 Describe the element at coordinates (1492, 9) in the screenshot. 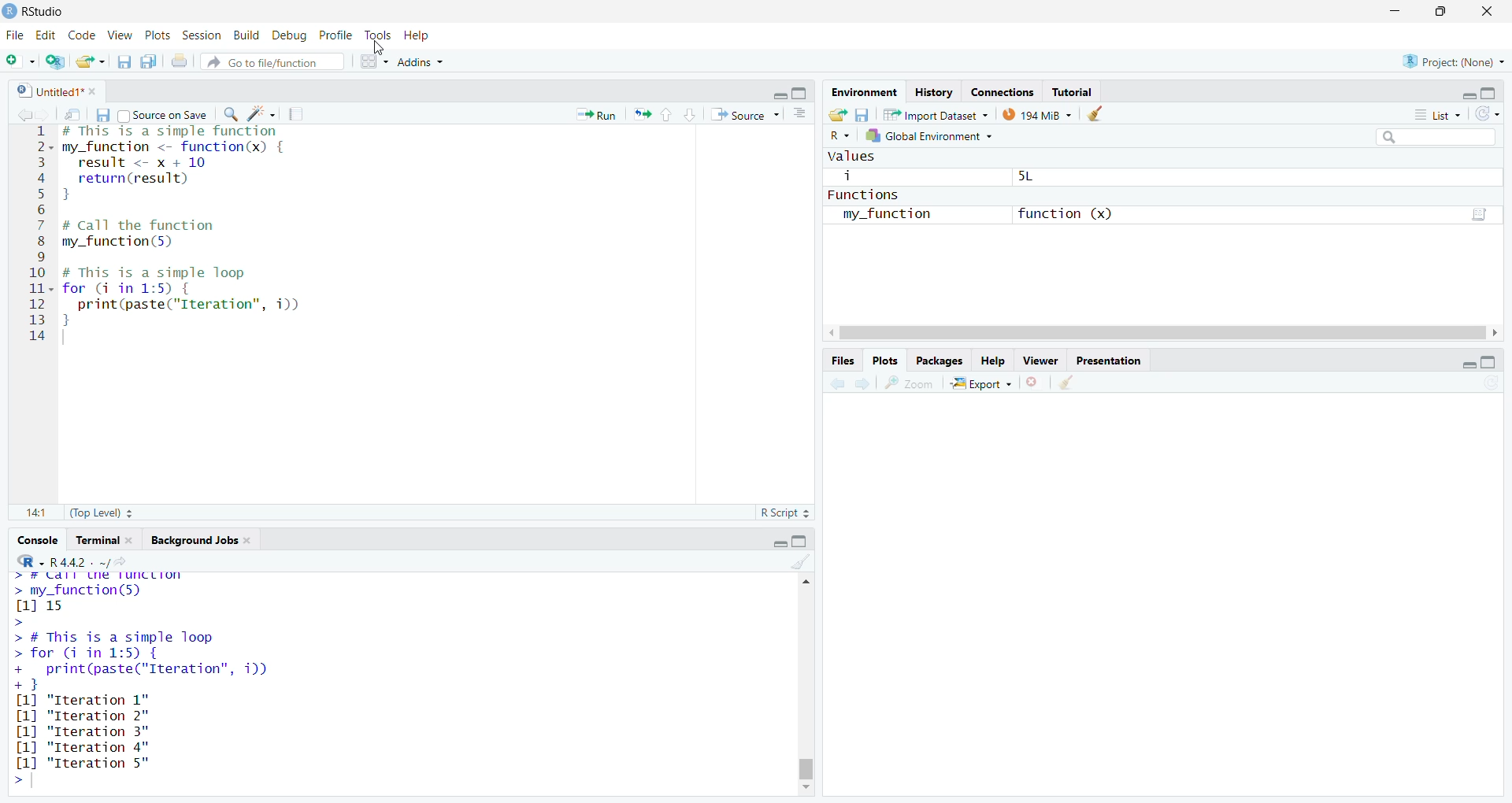

I see `close` at that location.